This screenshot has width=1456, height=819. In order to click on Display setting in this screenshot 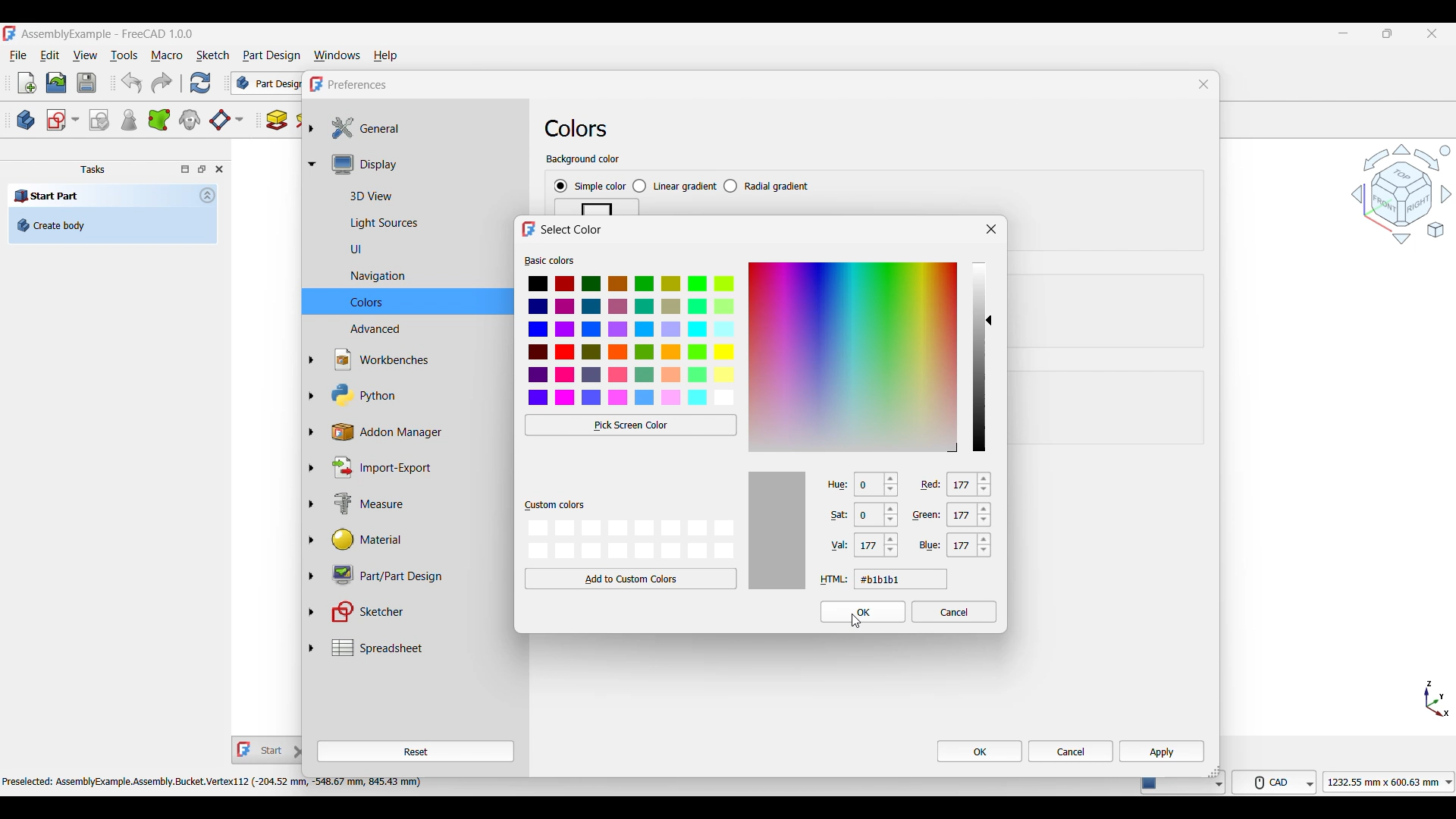, I will do `click(423, 164)`.